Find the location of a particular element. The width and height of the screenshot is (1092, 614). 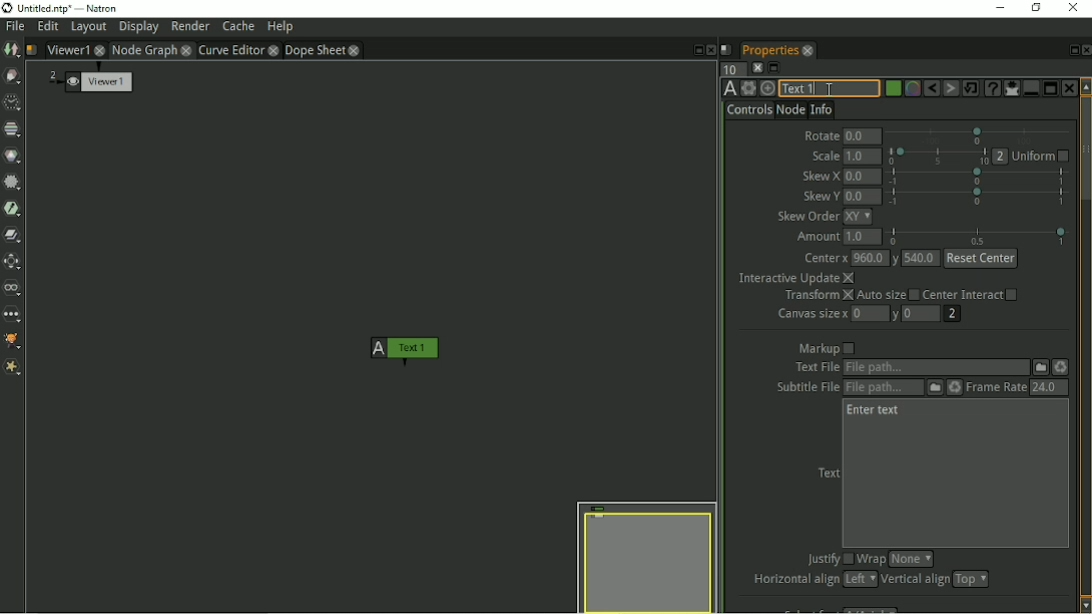

Text 1 is located at coordinates (831, 88).